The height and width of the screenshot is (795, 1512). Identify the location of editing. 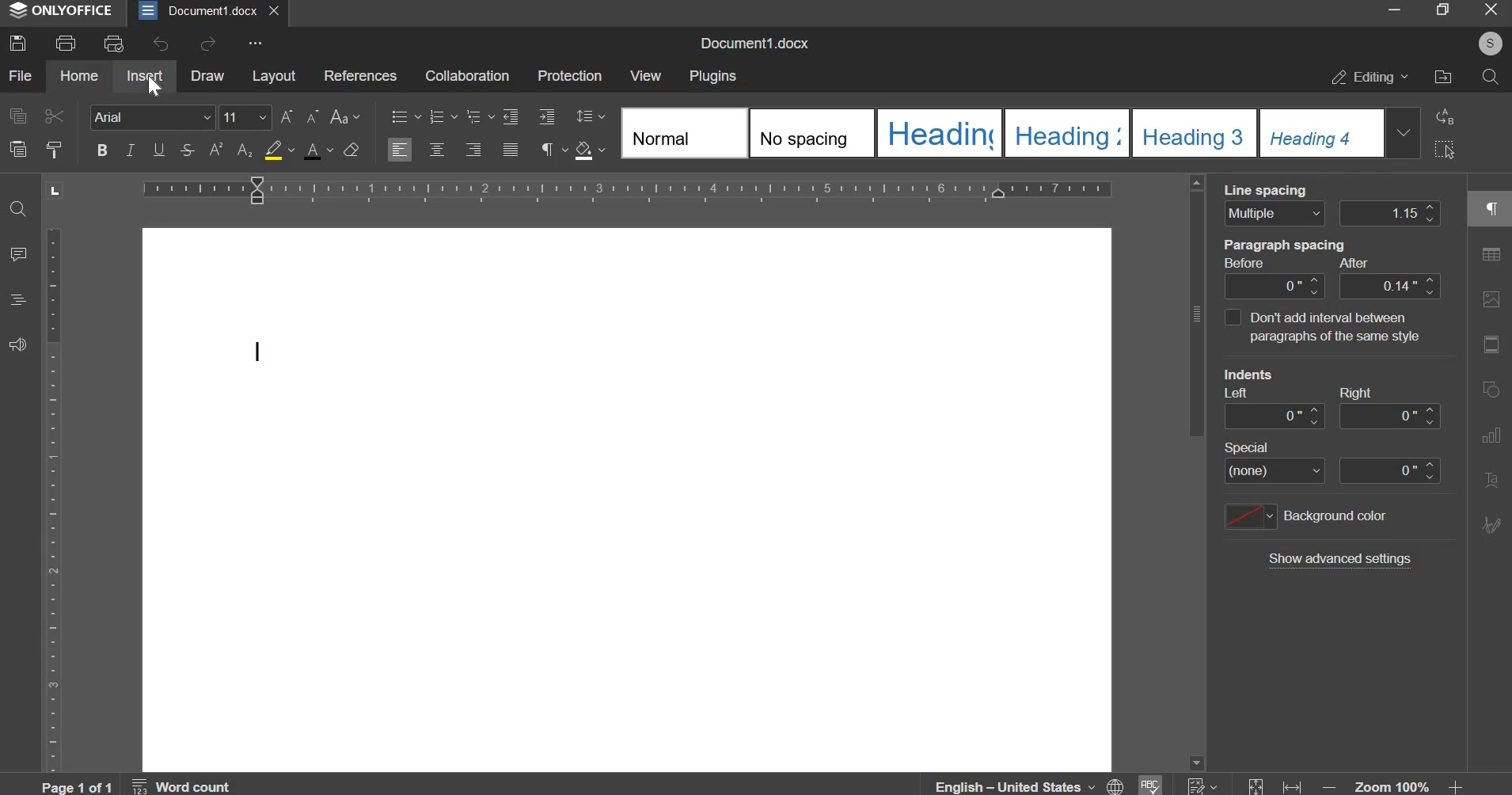
(1367, 77).